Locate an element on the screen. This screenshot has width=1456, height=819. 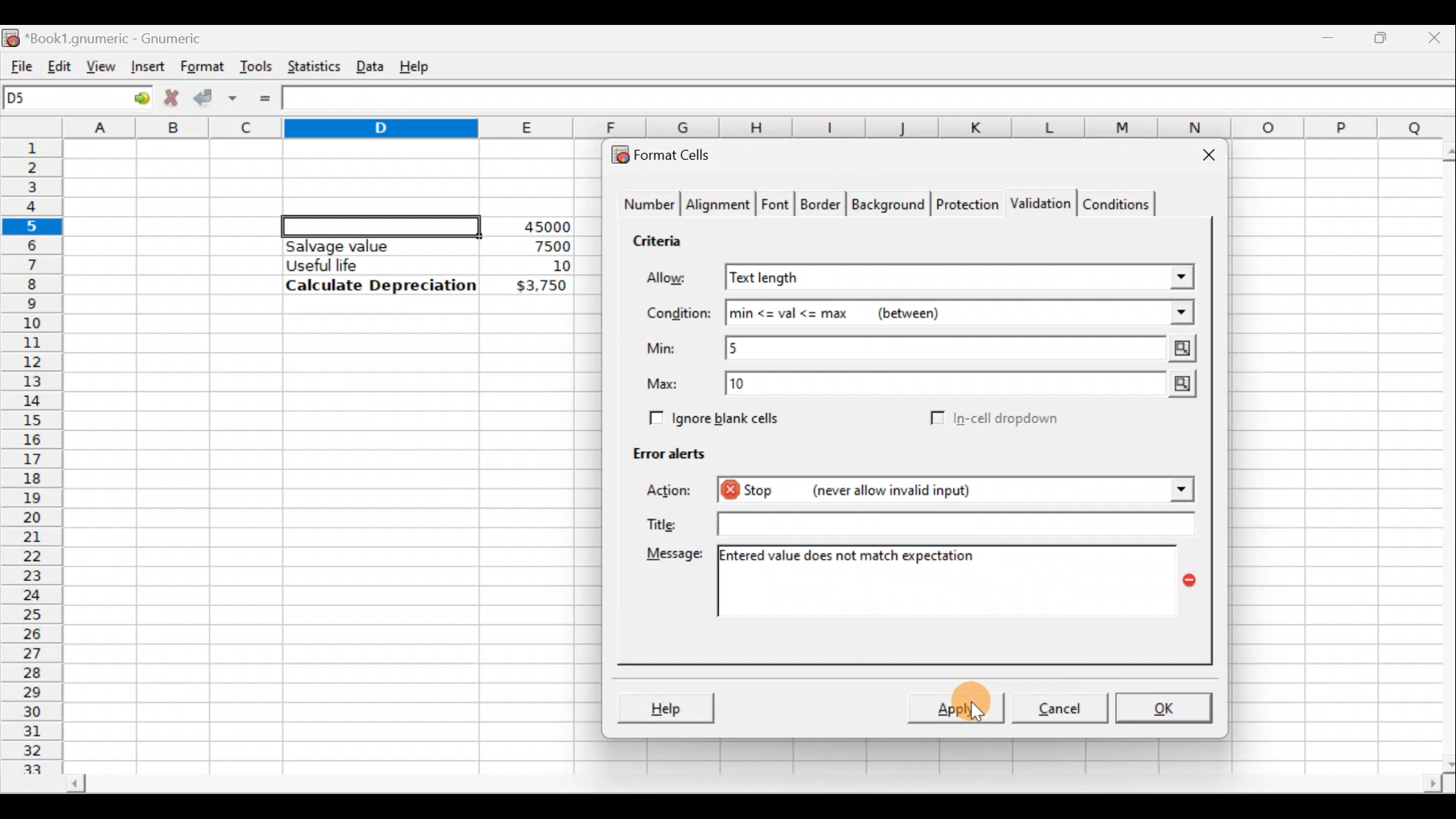
7500 is located at coordinates (528, 245).